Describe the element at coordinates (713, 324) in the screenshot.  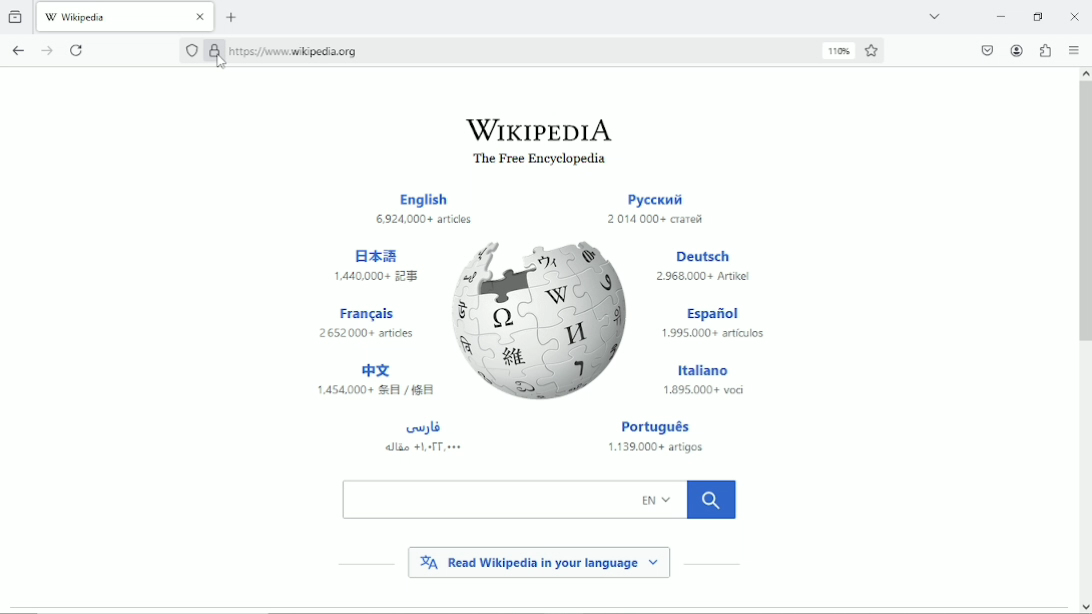
I see `Espaiiol1.995000+ articulos` at that location.